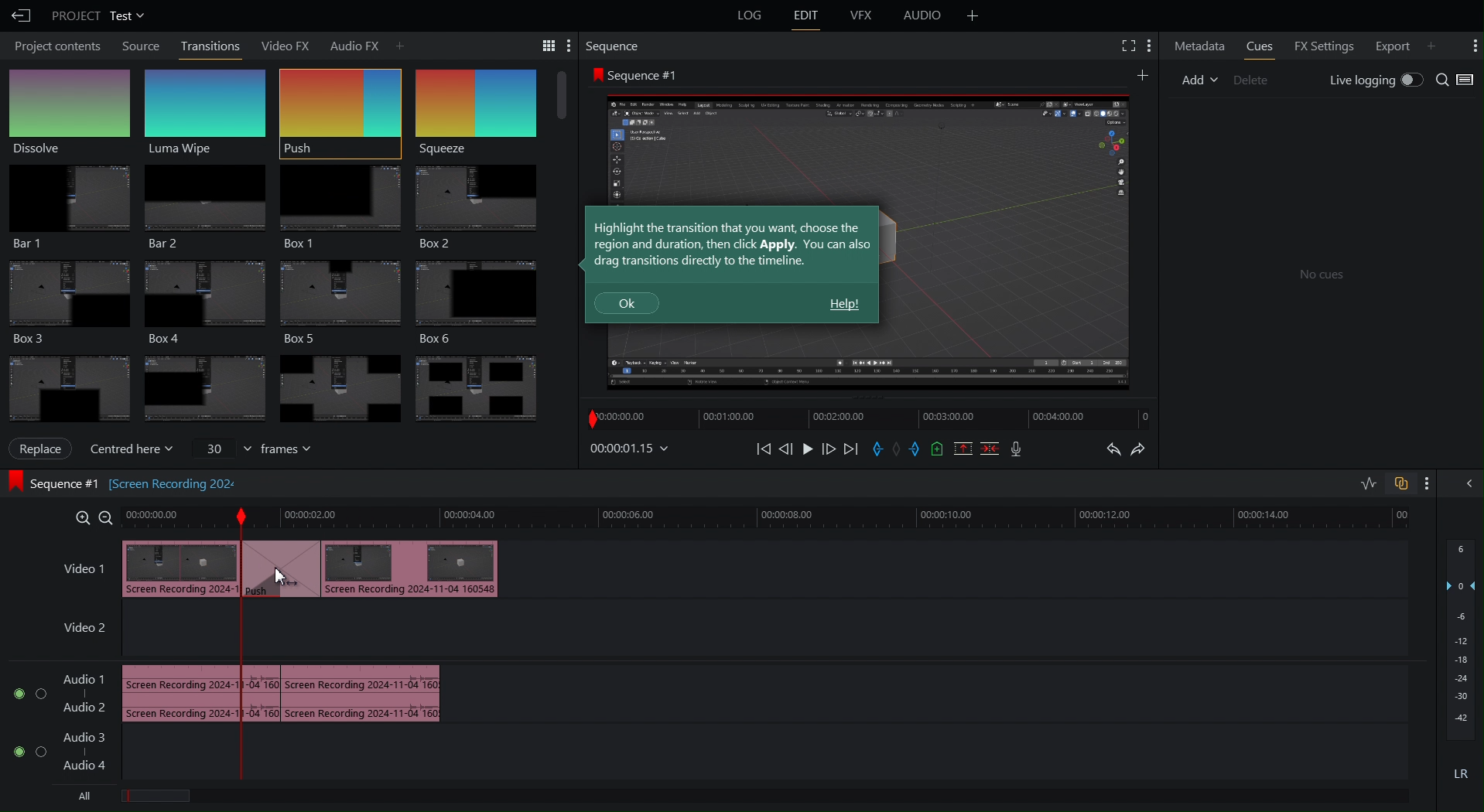  I want to click on Audio, so click(926, 15).